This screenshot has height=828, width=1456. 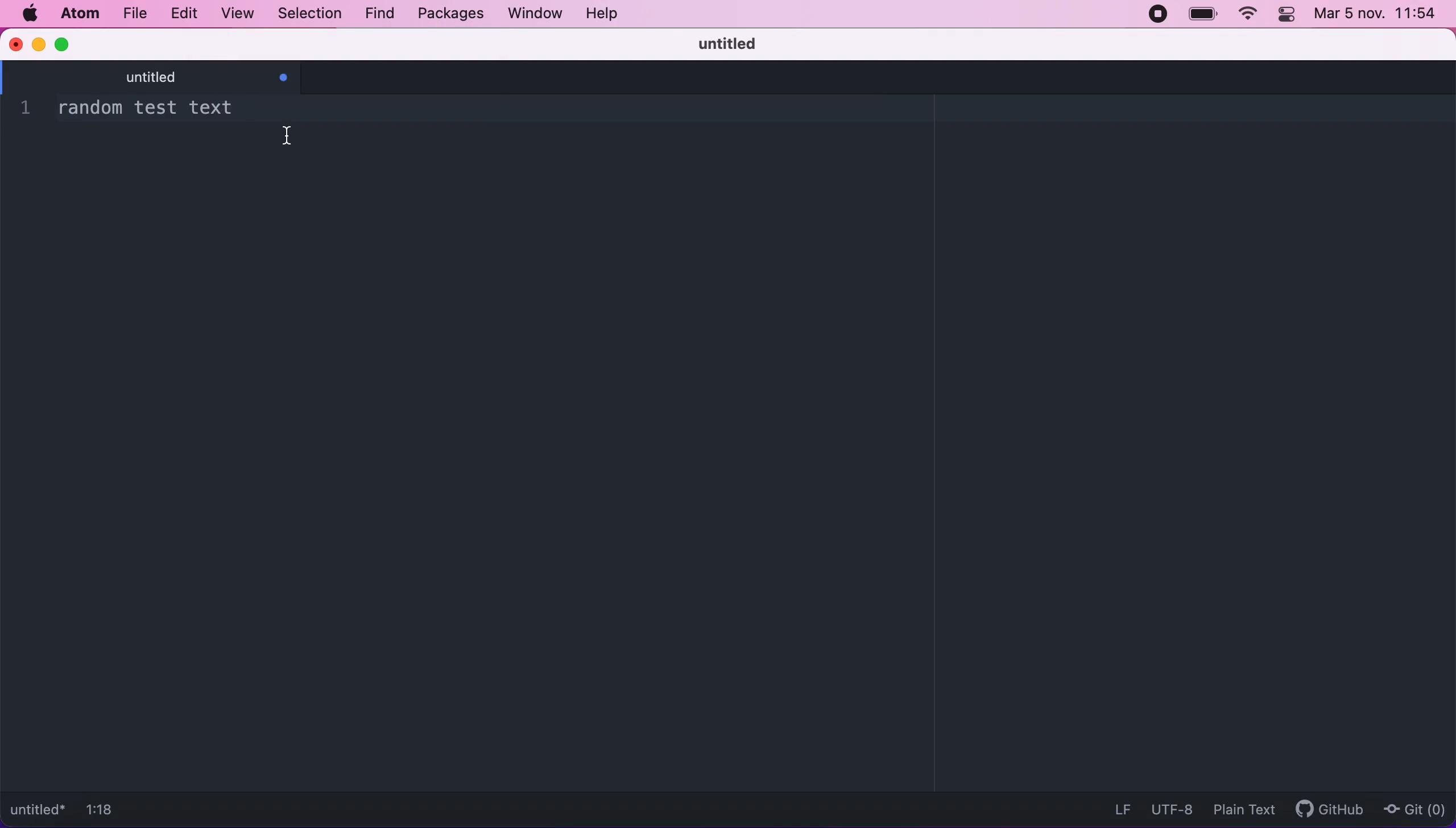 I want to click on wifi, so click(x=1246, y=16).